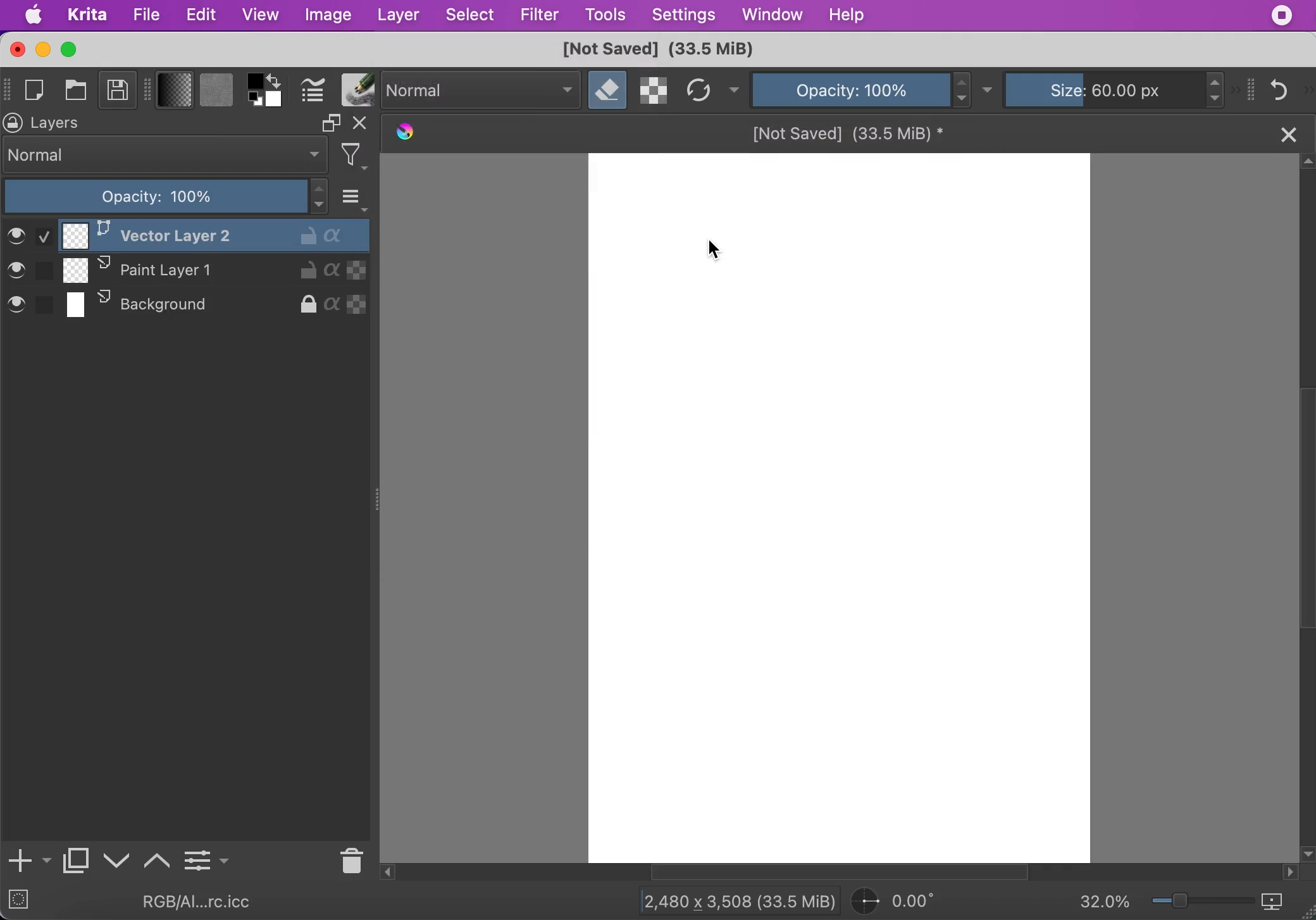 The height and width of the screenshot is (920, 1316). Describe the element at coordinates (256, 101) in the screenshot. I see `set foreground and background color` at that location.